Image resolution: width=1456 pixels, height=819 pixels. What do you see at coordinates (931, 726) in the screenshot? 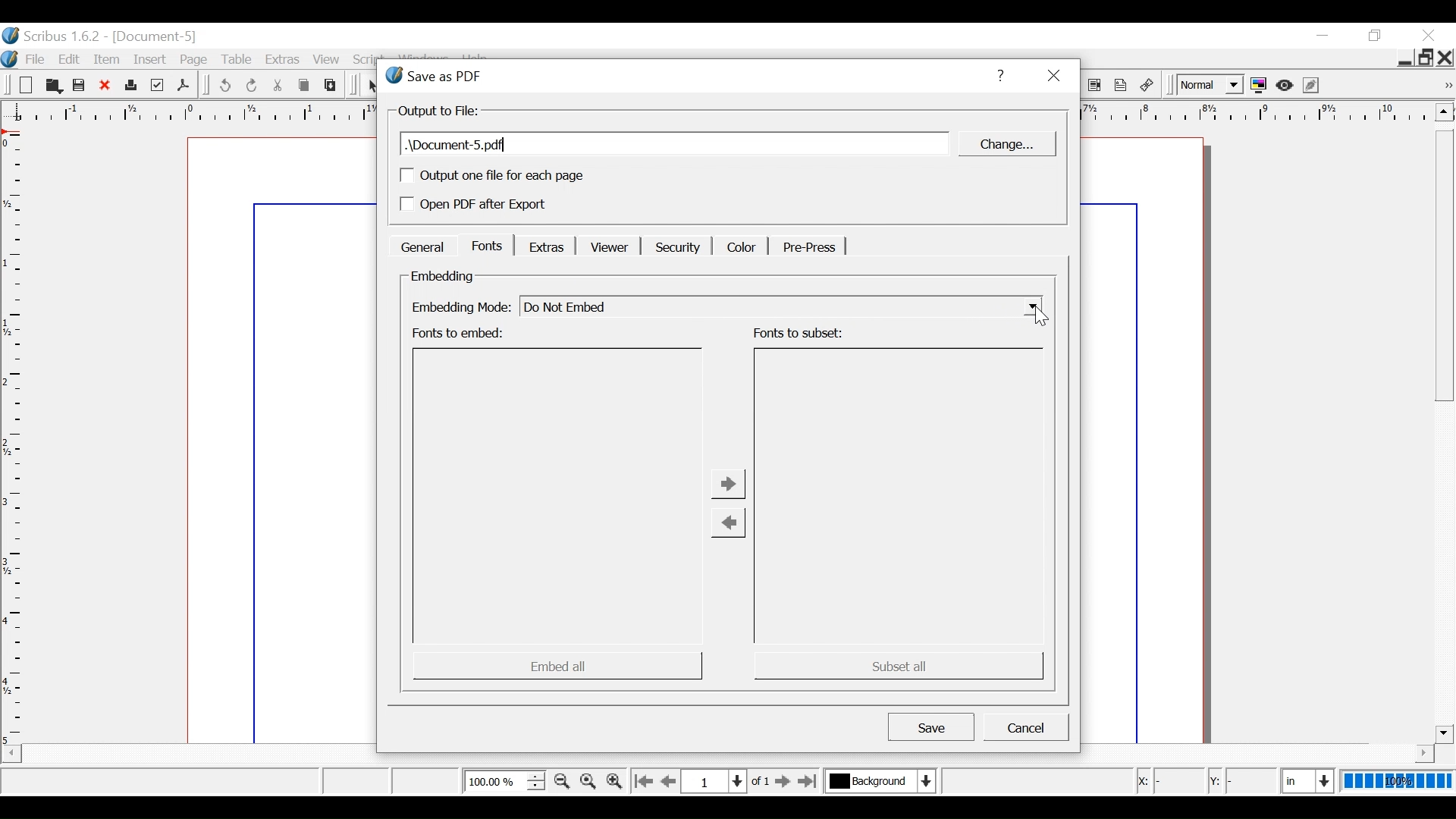
I see `Save` at bounding box center [931, 726].